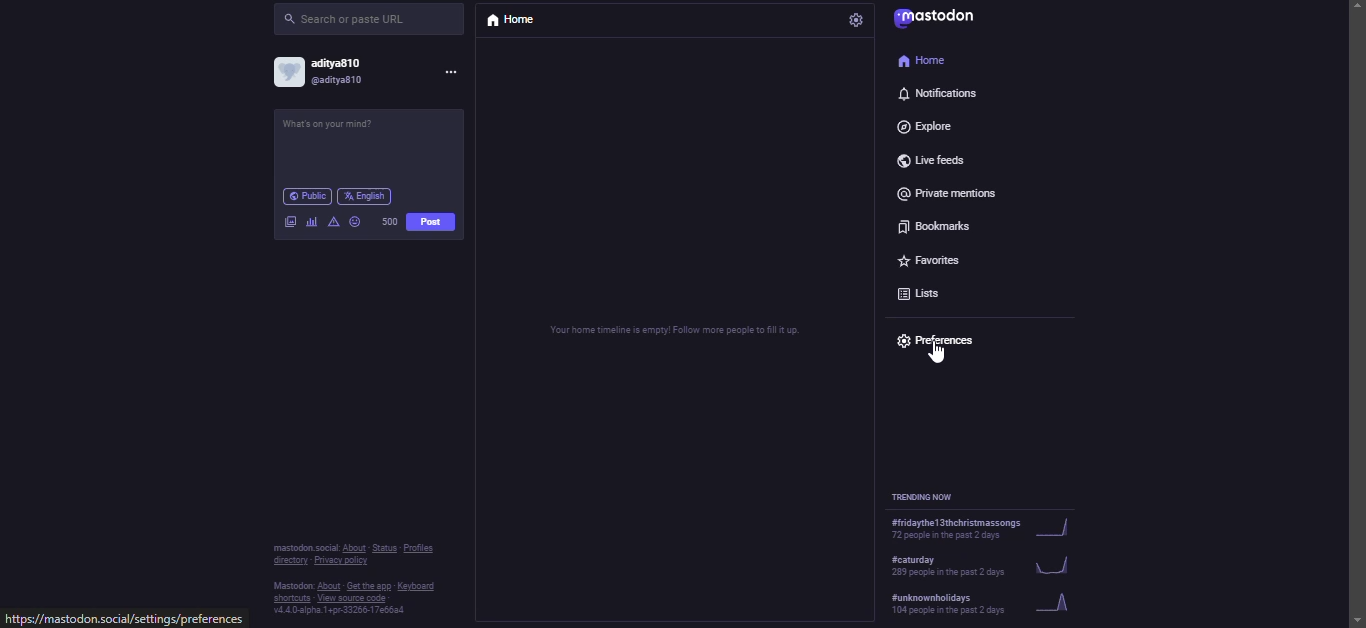 This screenshot has width=1366, height=628. What do you see at coordinates (338, 126) in the screenshot?
I see `What's on your mind?` at bounding box center [338, 126].